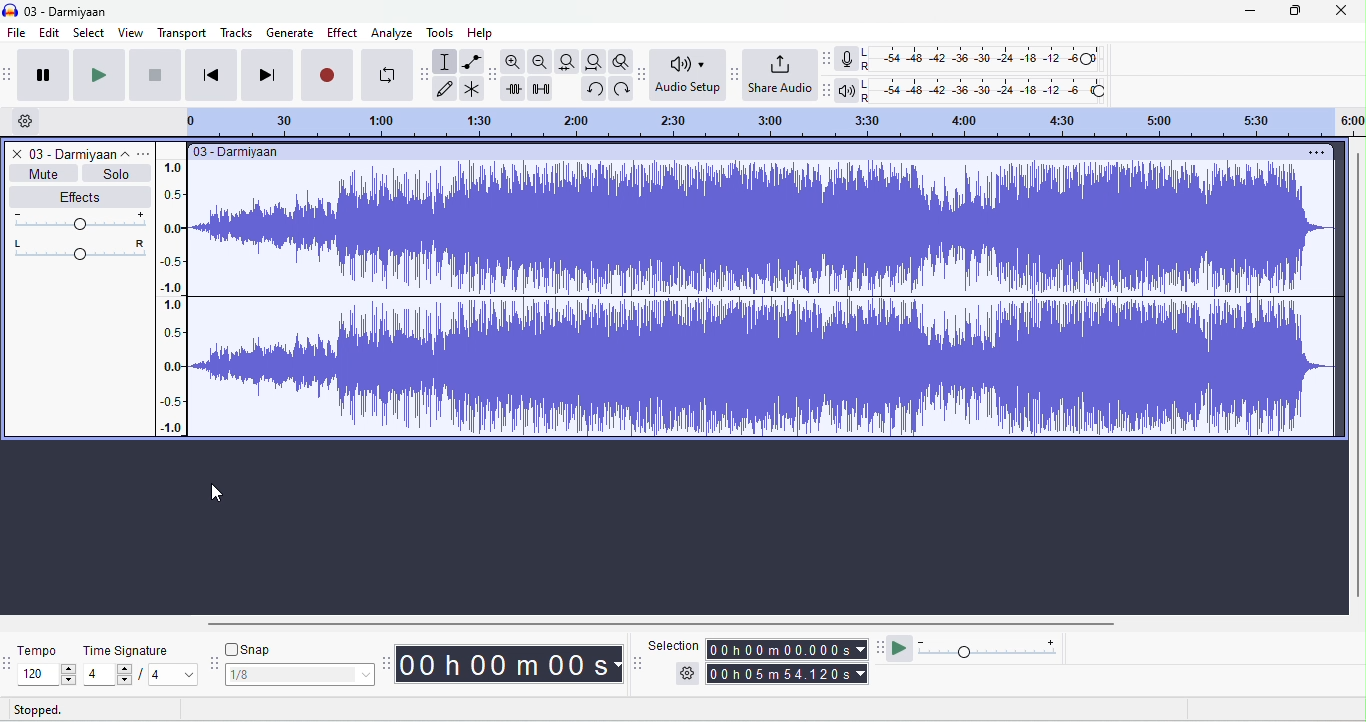  I want to click on selection options, so click(687, 672).